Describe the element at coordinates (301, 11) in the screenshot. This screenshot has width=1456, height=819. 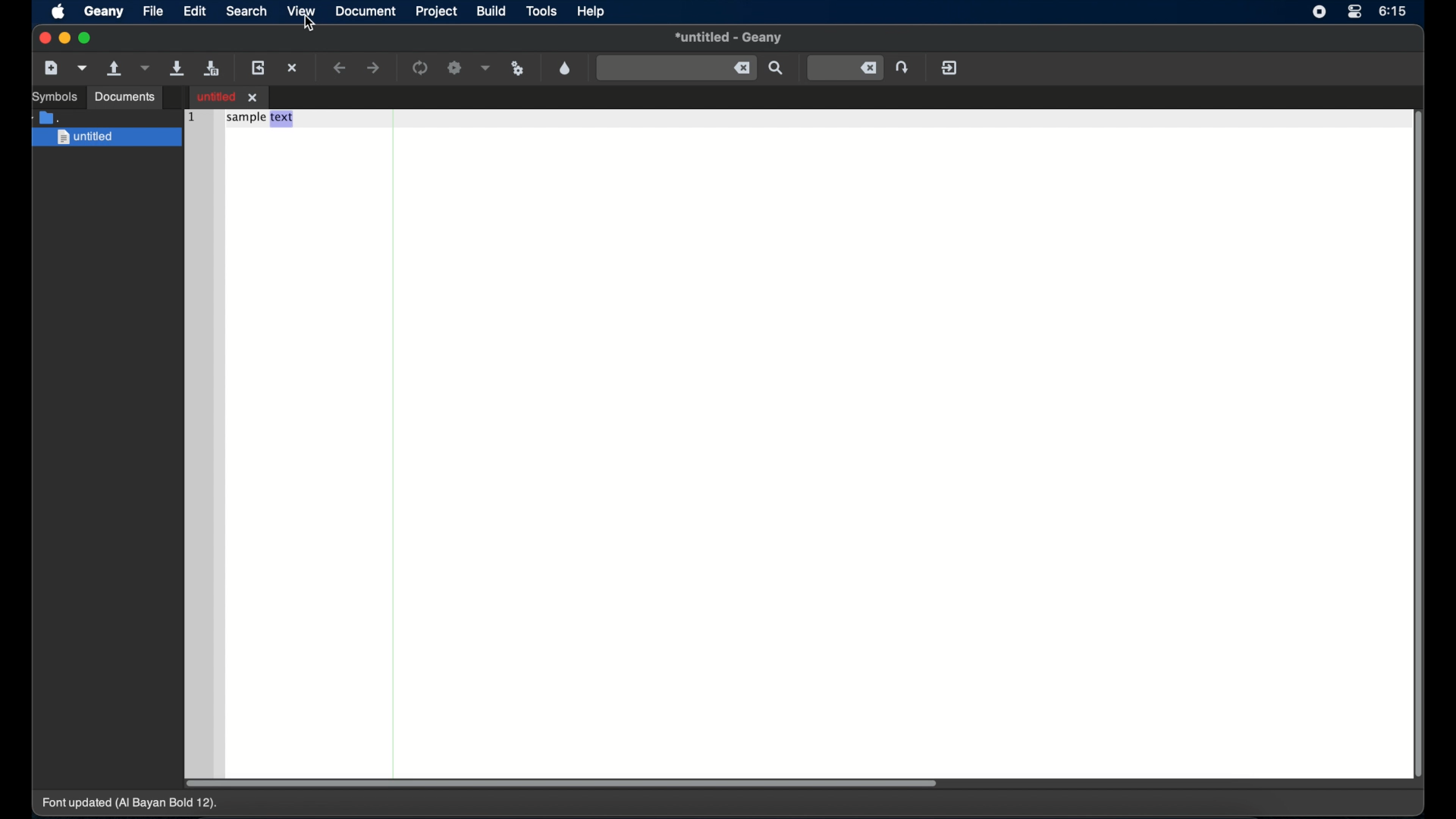
I see `view` at that location.